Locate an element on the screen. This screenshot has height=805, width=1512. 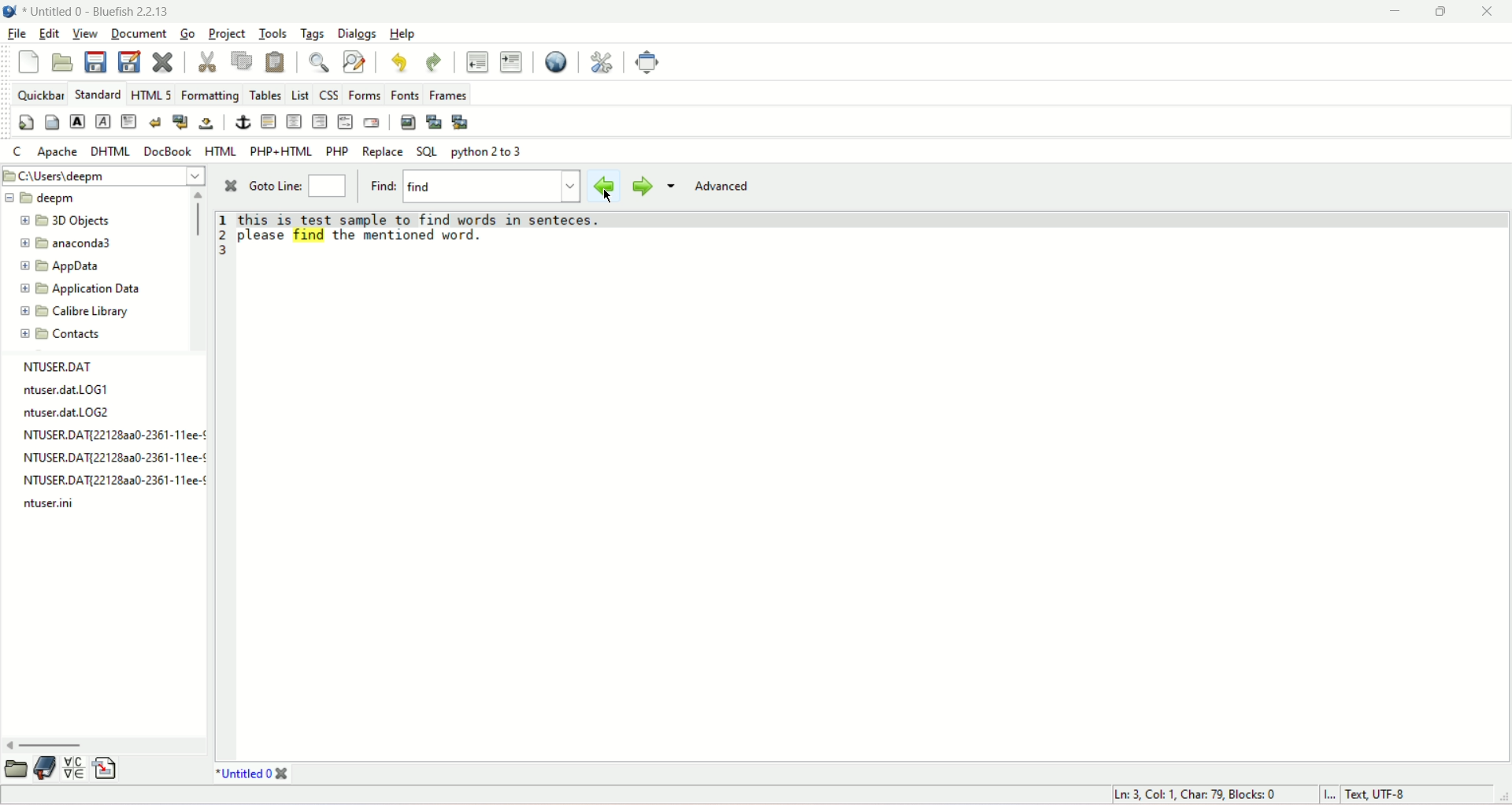
cut is located at coordinates (206, 62).